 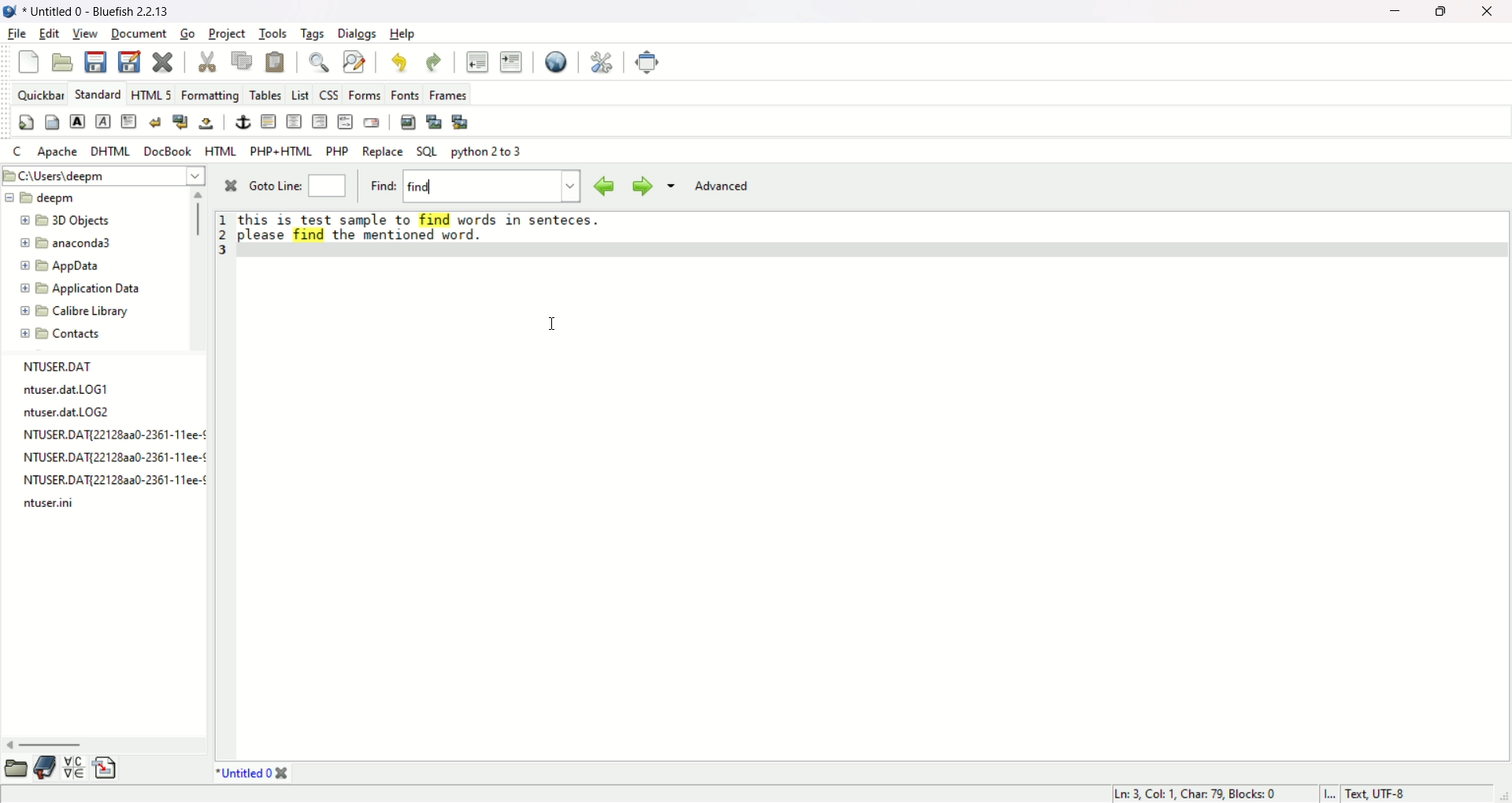 What do you see at coordinates (140, 34) in the screenshot?
I see `document` at bounding box center [140, 34].